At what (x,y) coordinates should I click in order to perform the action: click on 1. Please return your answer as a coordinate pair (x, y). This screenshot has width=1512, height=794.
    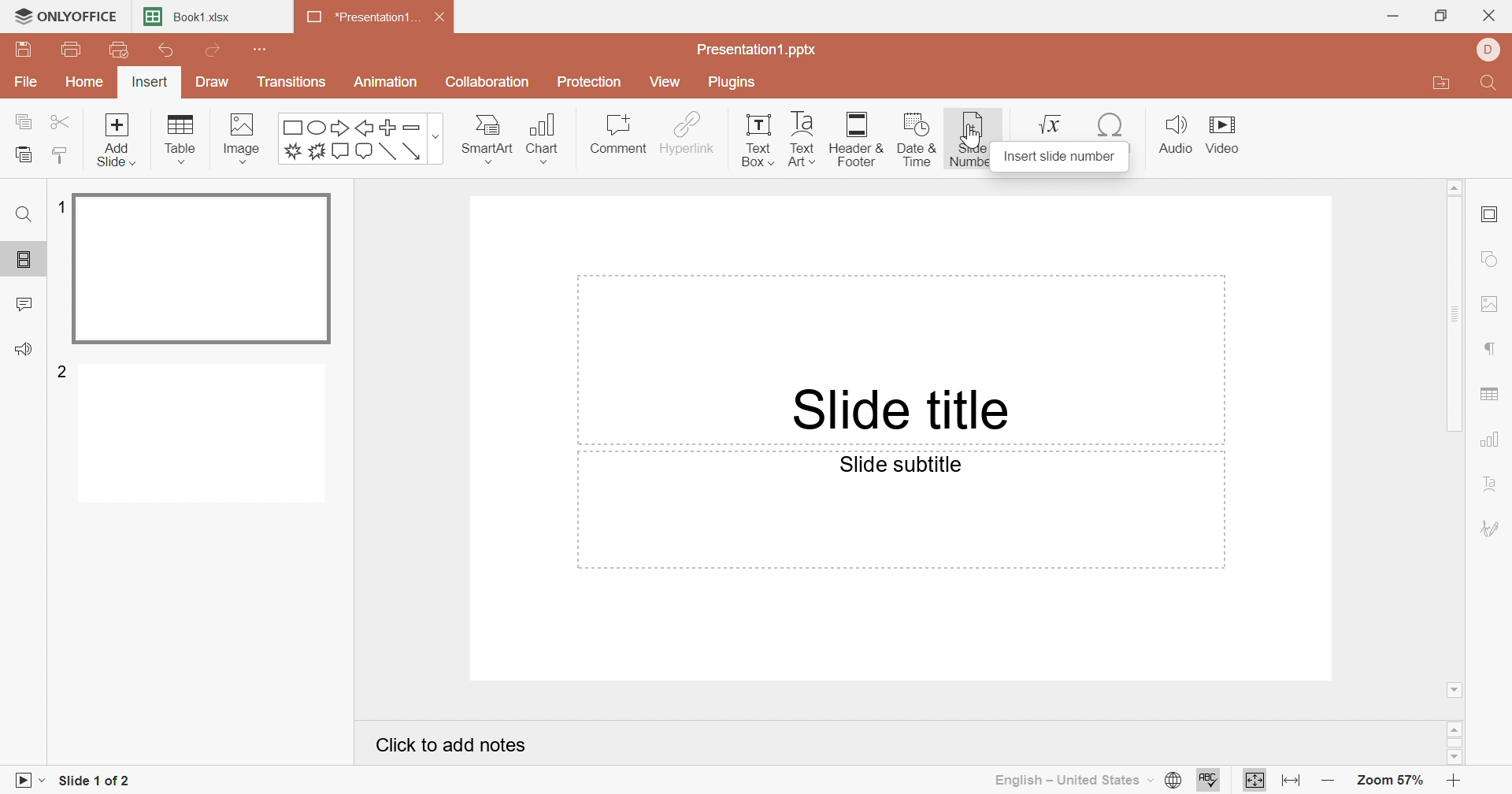
    Looking at the image, I should click on (58, 207).